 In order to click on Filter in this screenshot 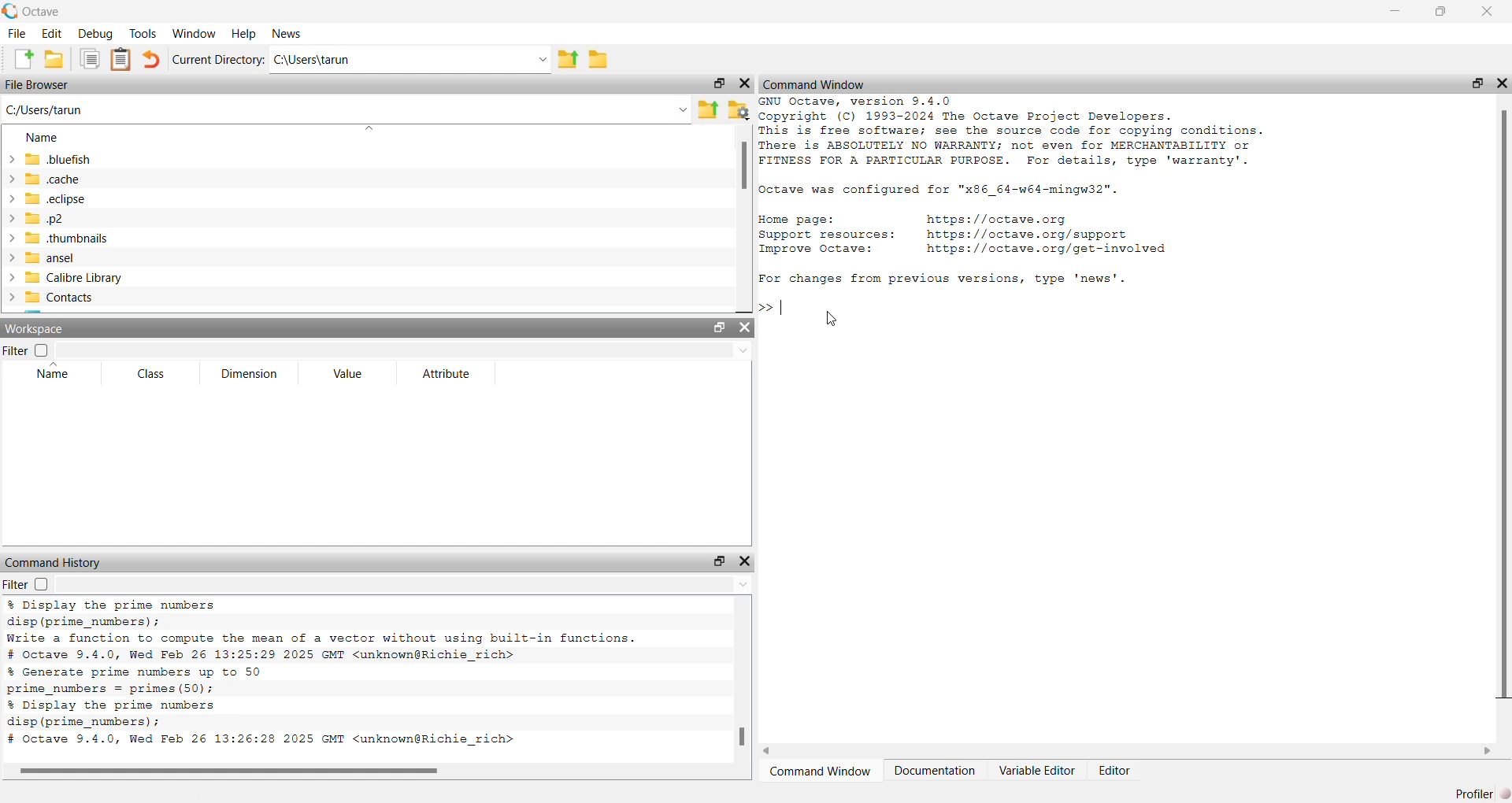, I will do `click(28, 350)`.